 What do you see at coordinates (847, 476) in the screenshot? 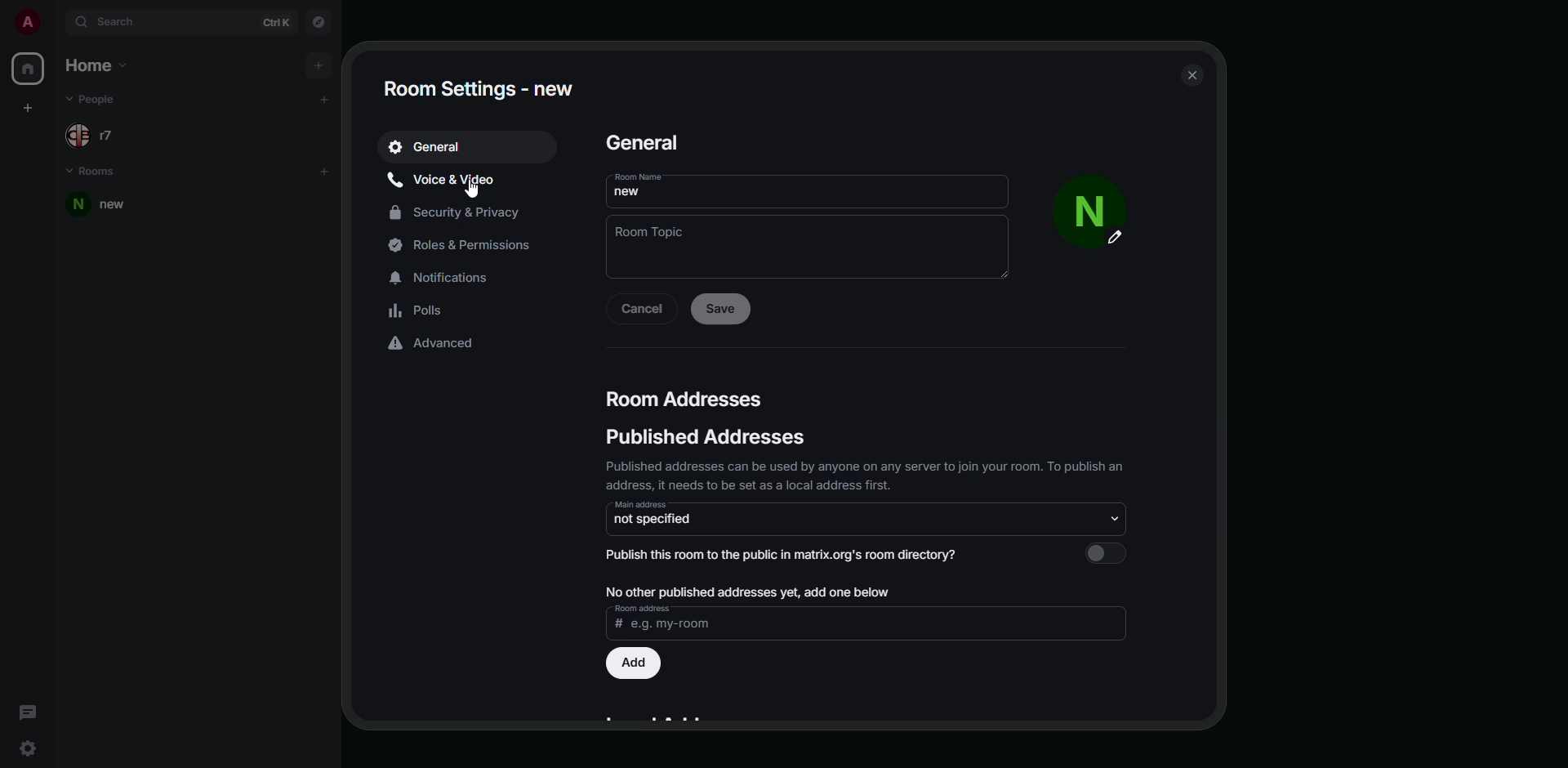
I see `Published addresses can be used by anyone on any server to join your room. To publish an
address, it needs to be set as a local address first.` at bounding box center [847, 476].